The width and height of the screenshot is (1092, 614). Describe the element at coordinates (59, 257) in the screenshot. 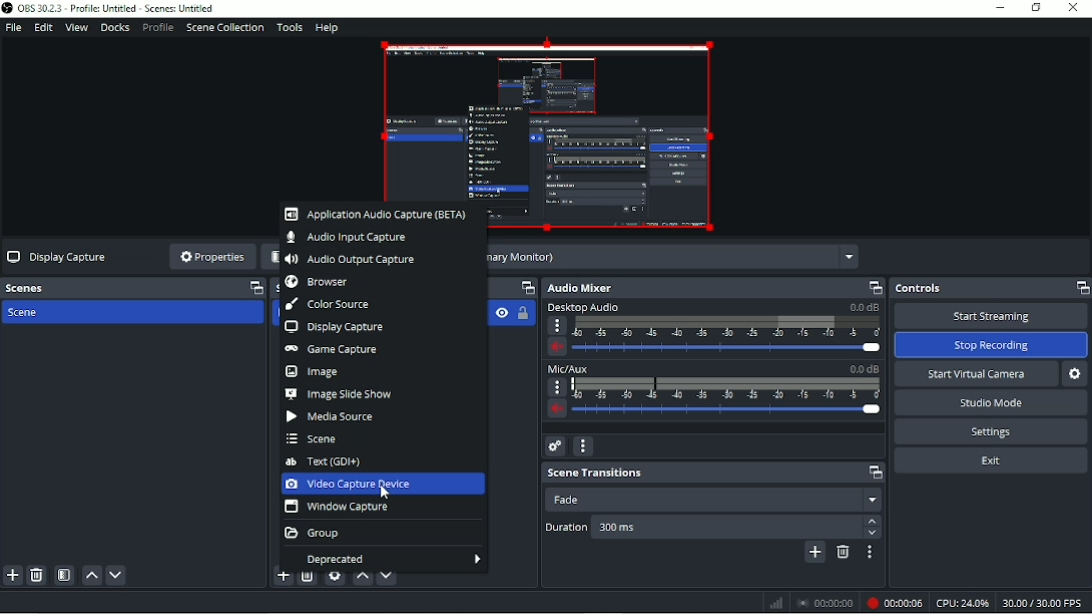

I see `Display capture` at that location.